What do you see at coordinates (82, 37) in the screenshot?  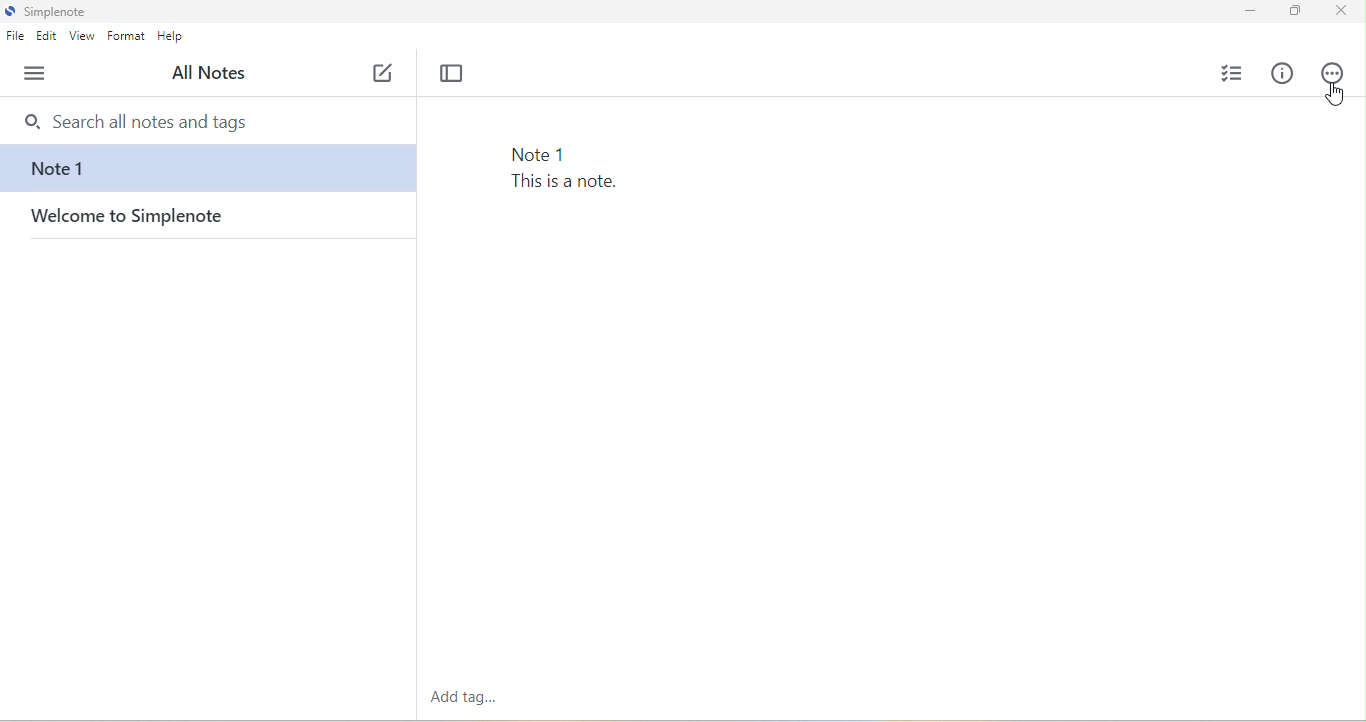 I see `view` at bounding box center [82, 37].